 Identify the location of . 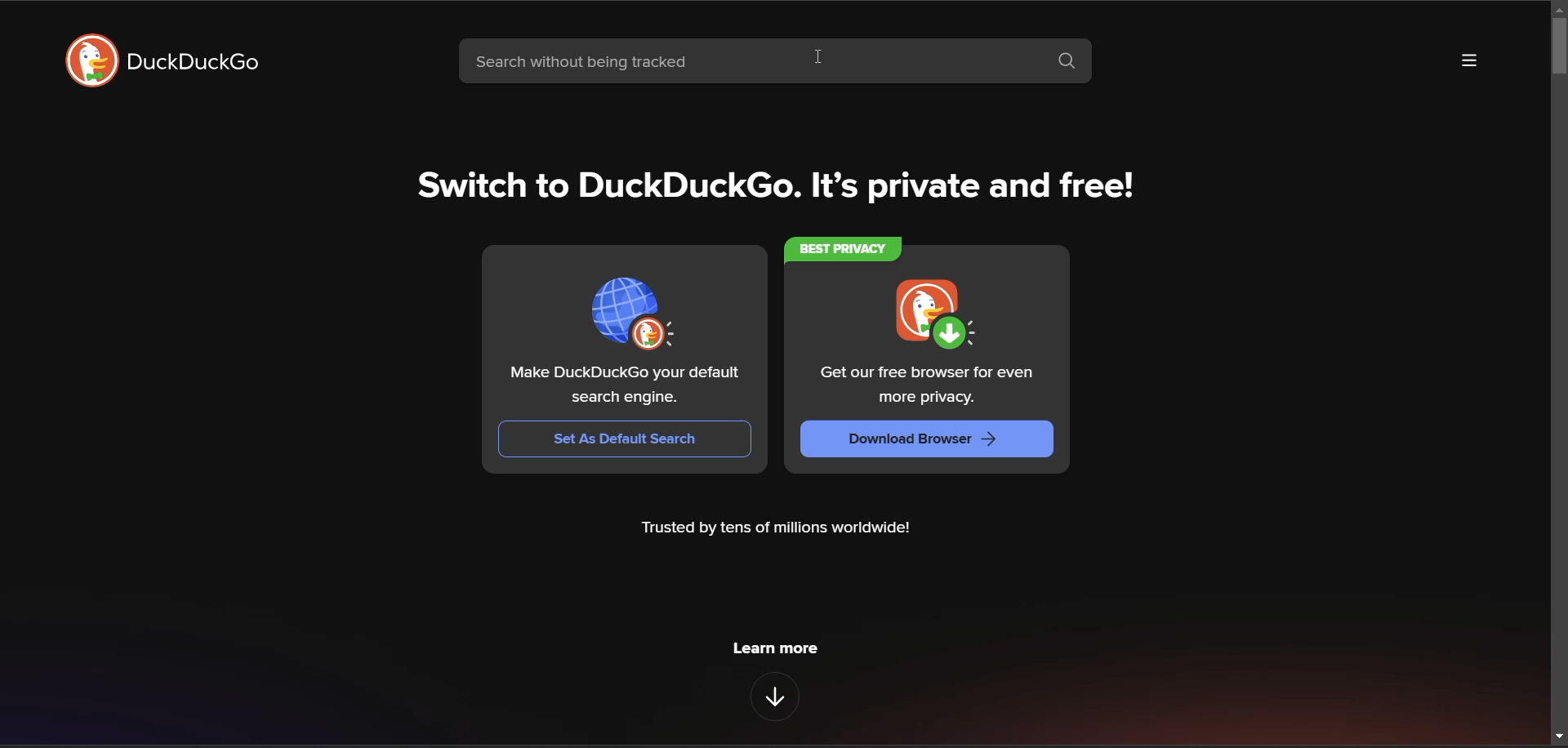
(934, 313).